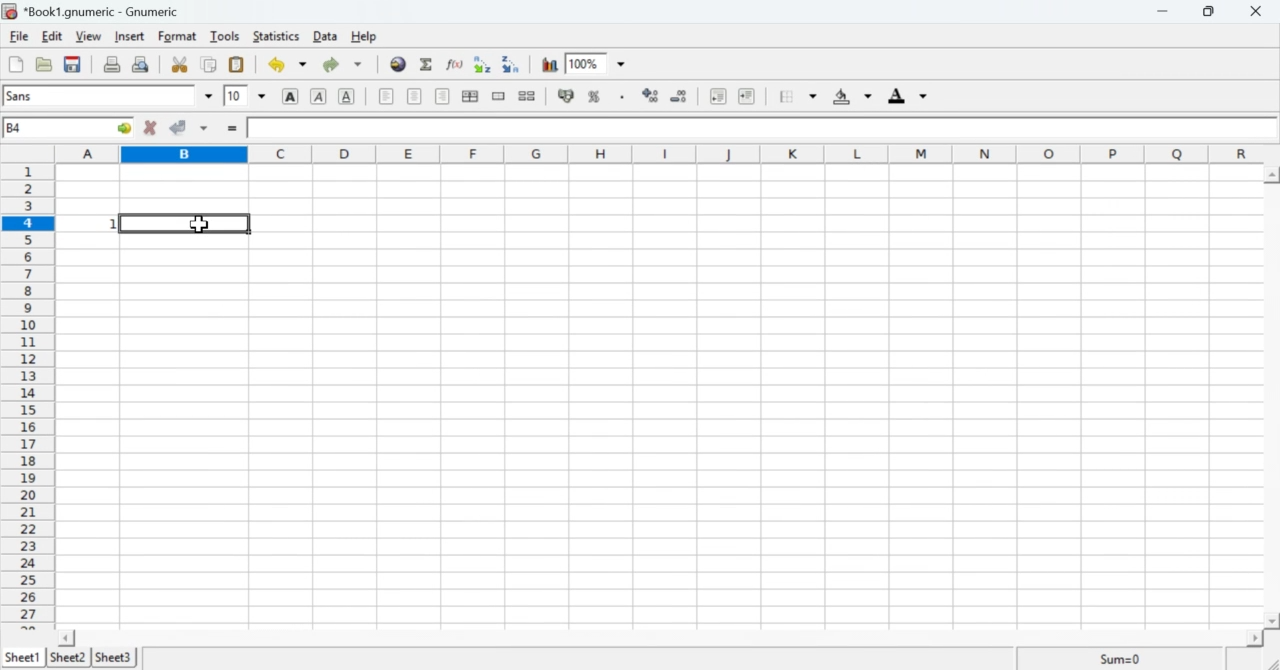 The width and height of the screenshot is (1280, 670). Describe the element at coordinates (67, 128) in the screenshot. I see `Active Cell` at that location.